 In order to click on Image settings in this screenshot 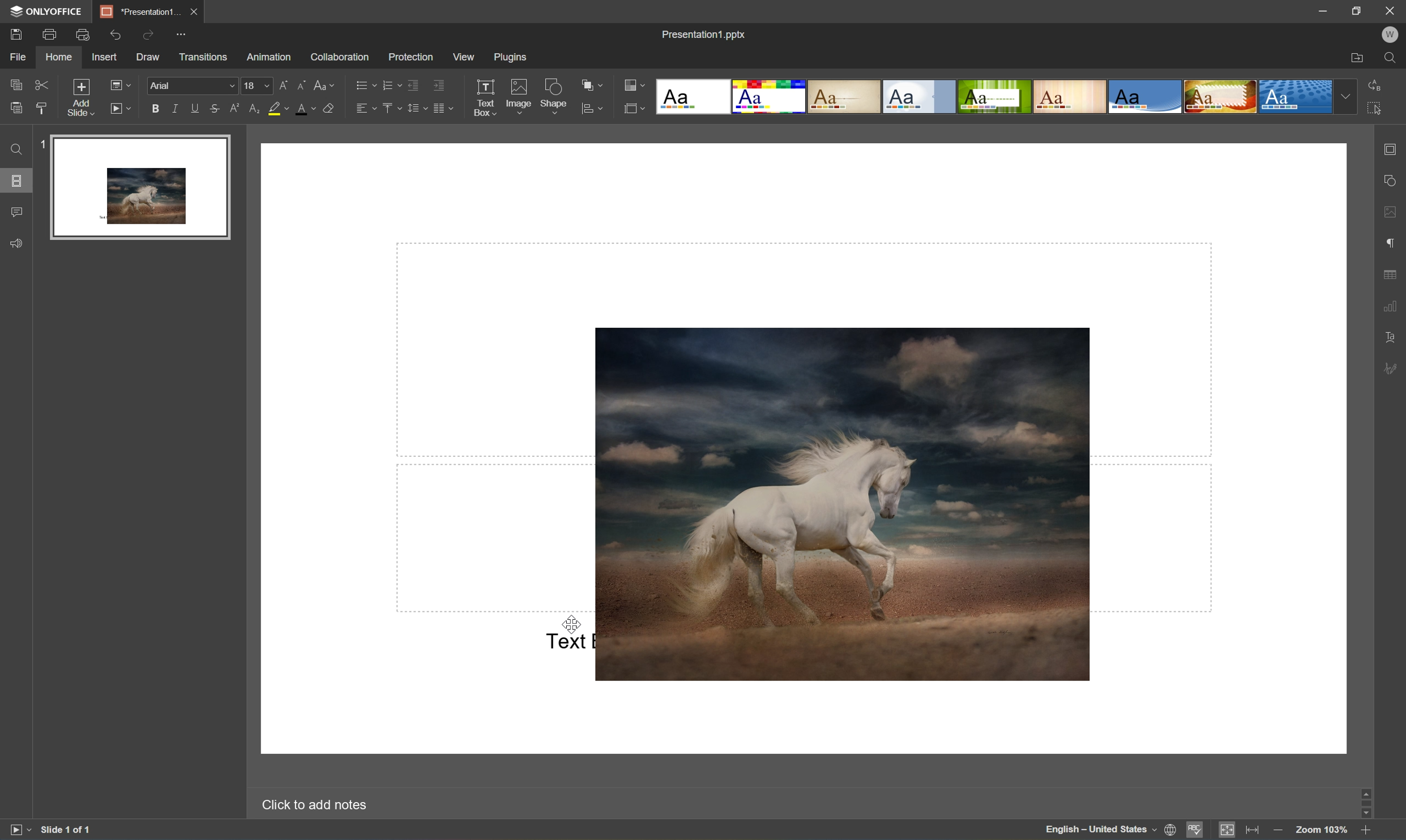, I will do `click(1394, 213)`.